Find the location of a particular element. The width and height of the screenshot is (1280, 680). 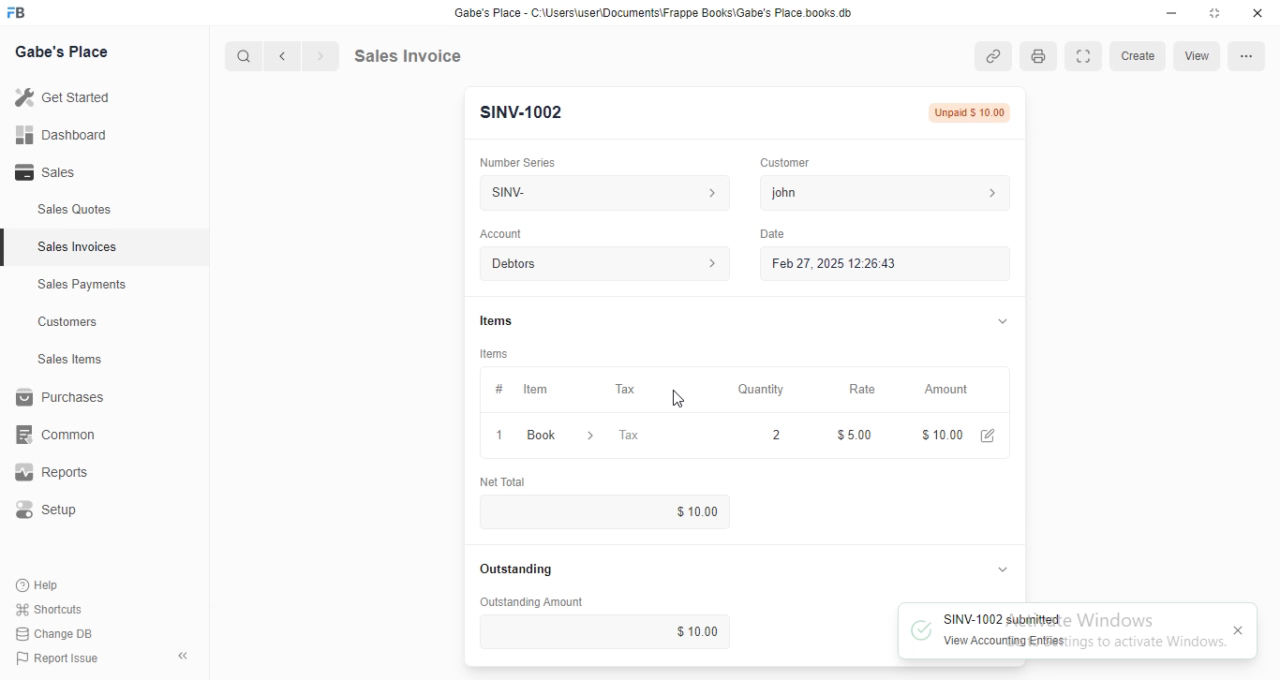

Expand is located at coordinates (1215, 14).